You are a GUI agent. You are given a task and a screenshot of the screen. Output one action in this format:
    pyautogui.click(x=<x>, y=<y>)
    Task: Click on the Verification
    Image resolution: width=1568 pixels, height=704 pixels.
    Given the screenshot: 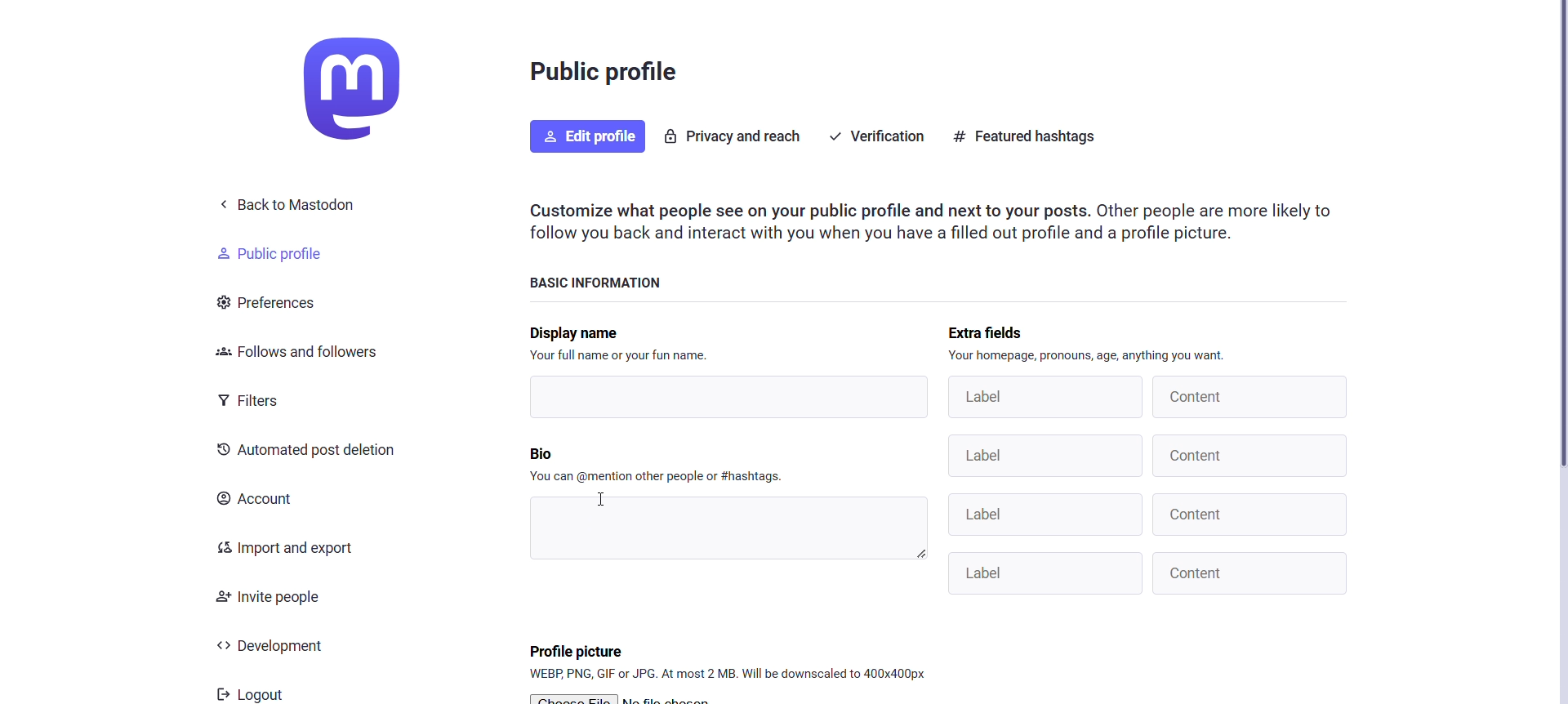 What is the action you would take?
    pyautogui.click(x=875, y=136)
    